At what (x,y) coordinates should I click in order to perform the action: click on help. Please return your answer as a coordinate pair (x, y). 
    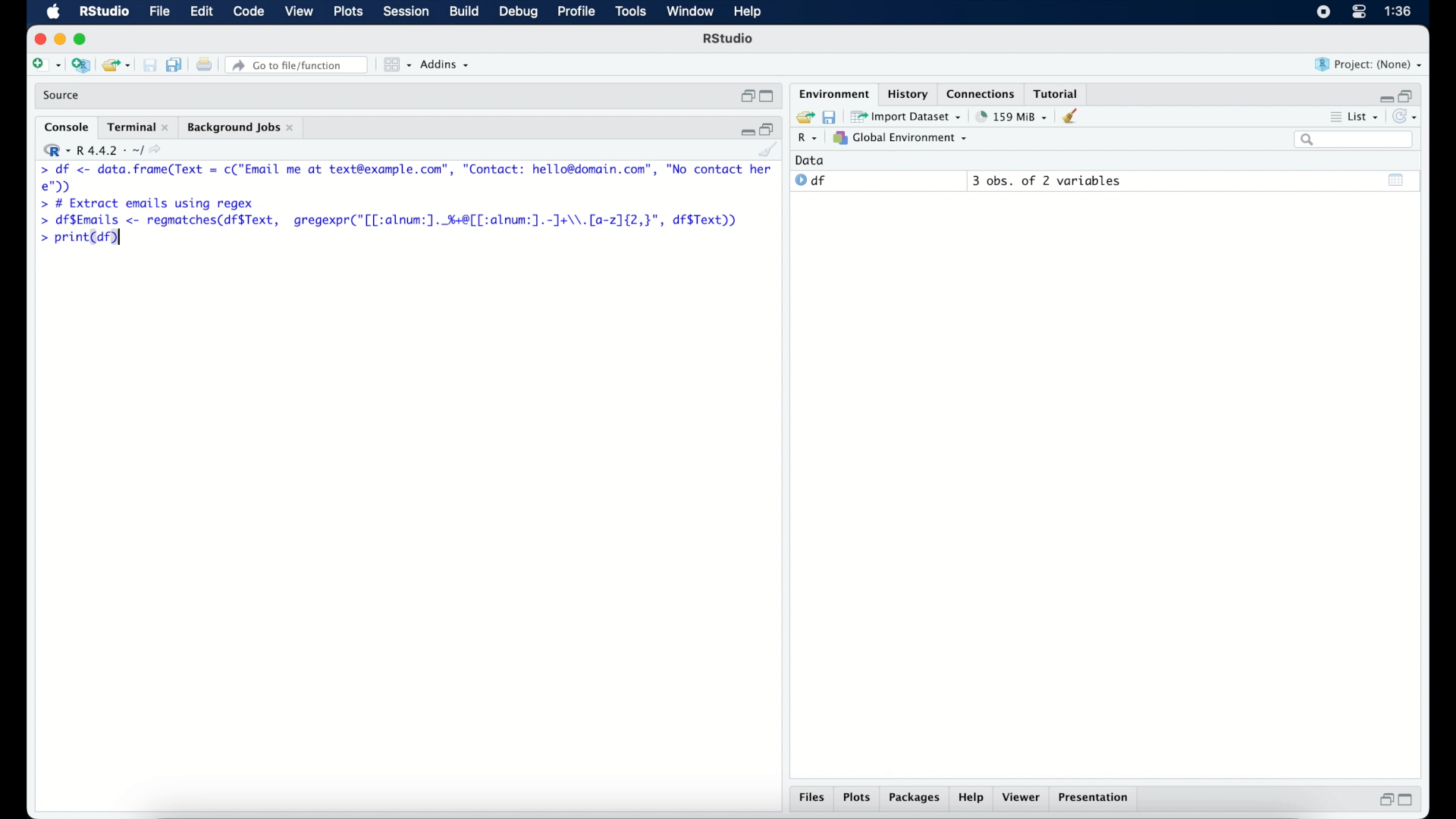
    Looking at the image, I should click on (748, 12).